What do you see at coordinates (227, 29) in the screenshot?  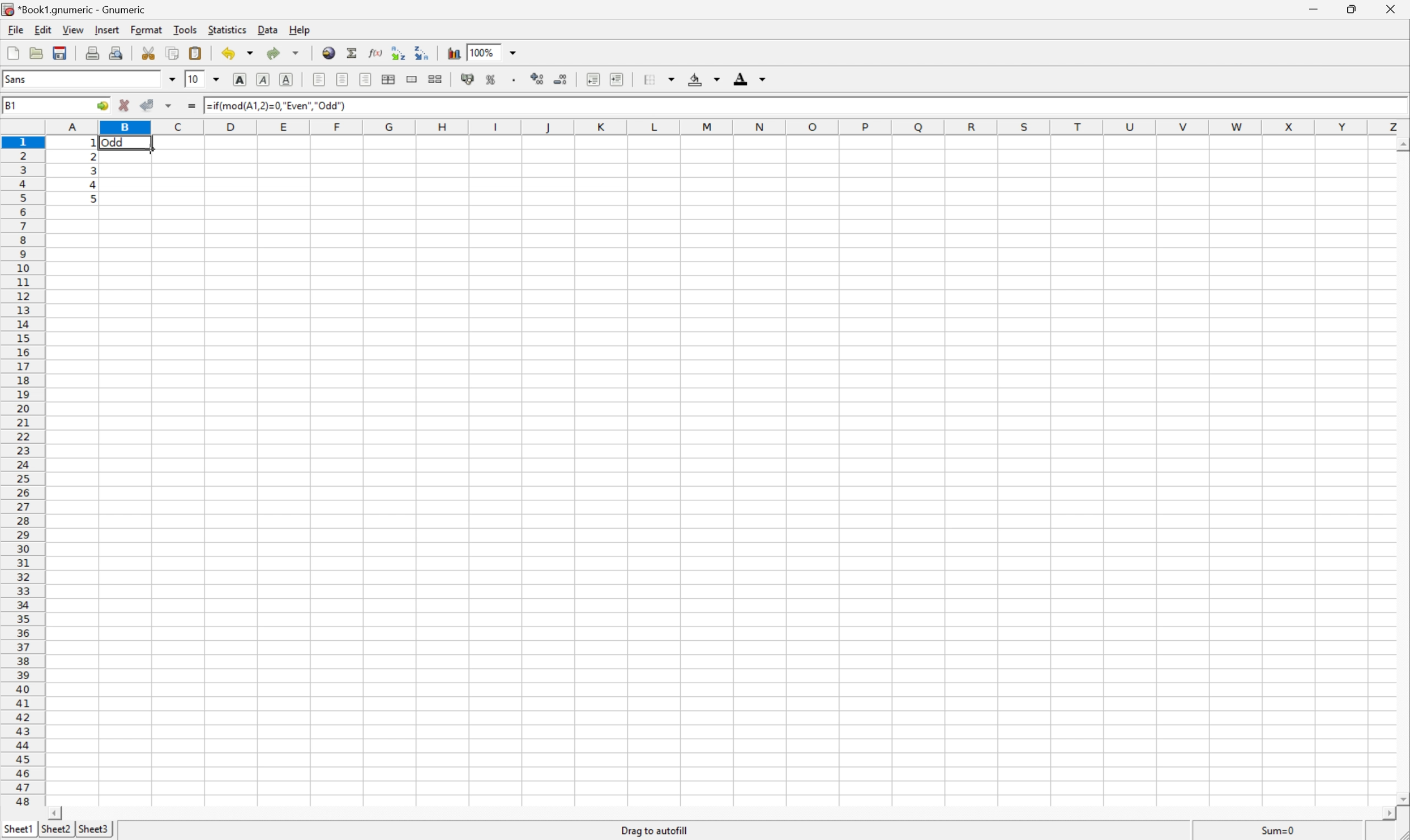 I see `Statistics` at bounding box center [227, 29].